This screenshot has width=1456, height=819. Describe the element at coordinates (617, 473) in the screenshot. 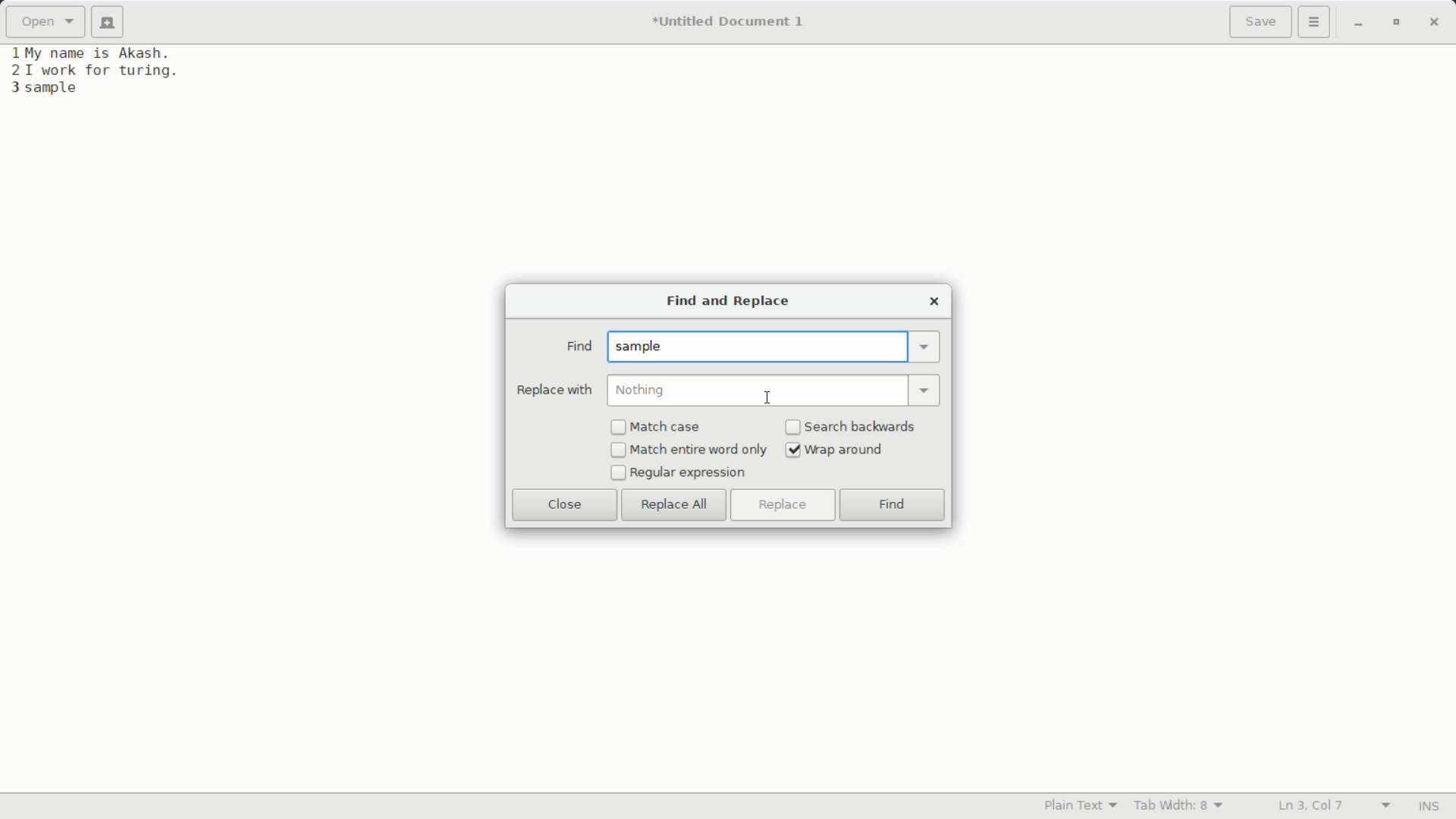

I see `checkbox` at that location.